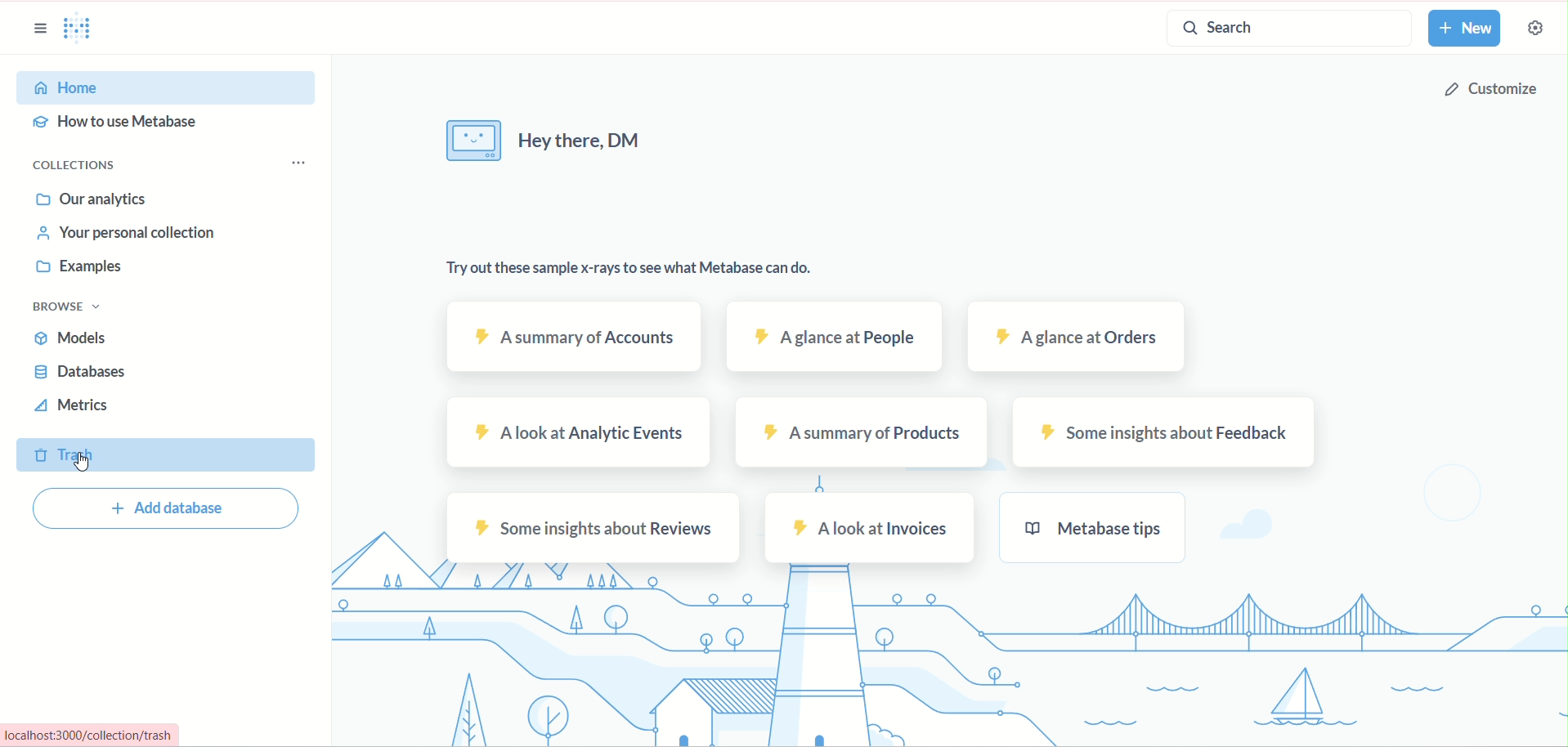 Image resolution: width=1568 pixels, height=747 pixels. I want to click on browse, so click(68, 306).